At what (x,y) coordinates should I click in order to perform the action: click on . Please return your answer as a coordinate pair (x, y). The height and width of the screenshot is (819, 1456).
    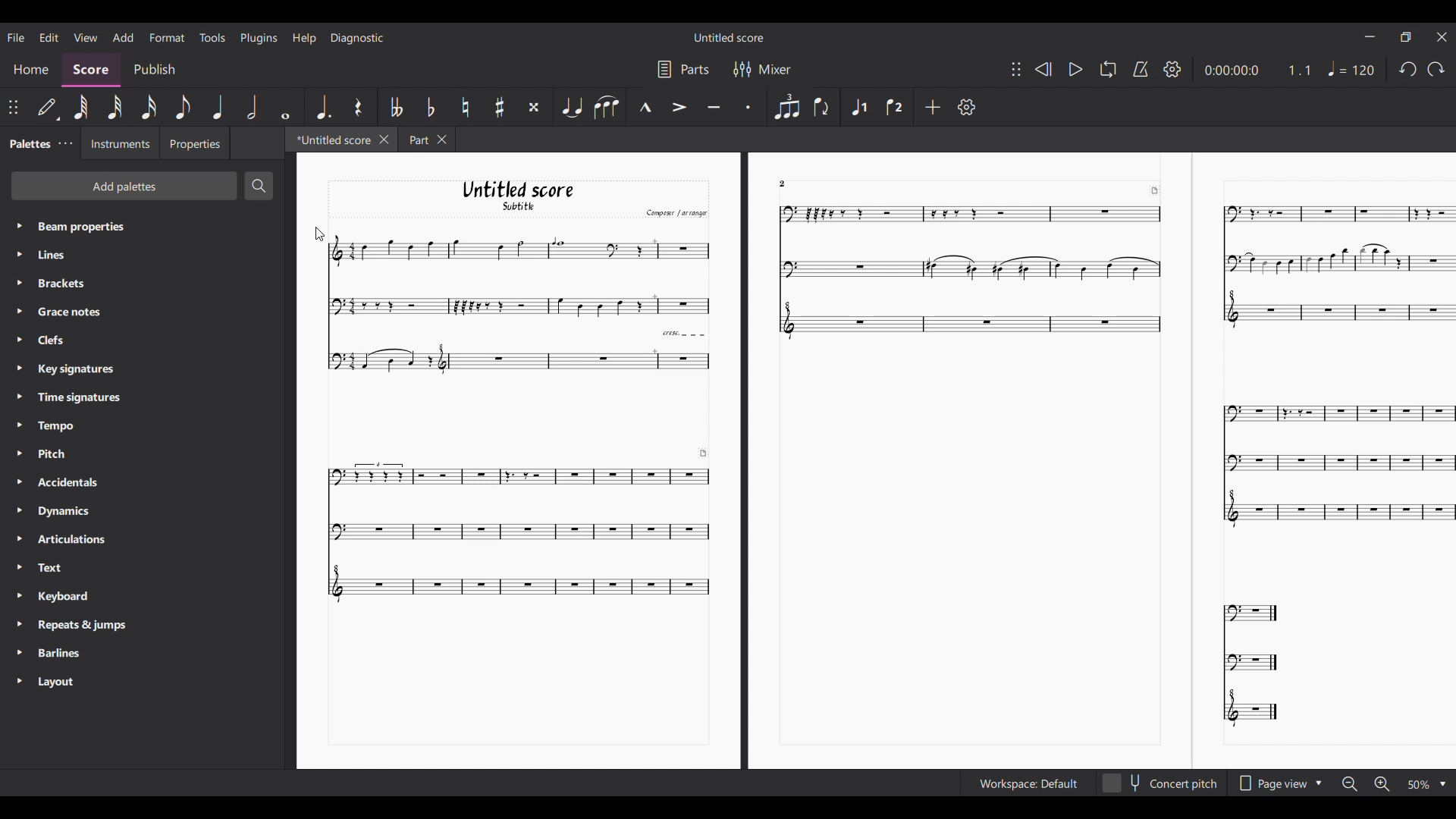
    Looking at the image, I should click on (1341, 260).